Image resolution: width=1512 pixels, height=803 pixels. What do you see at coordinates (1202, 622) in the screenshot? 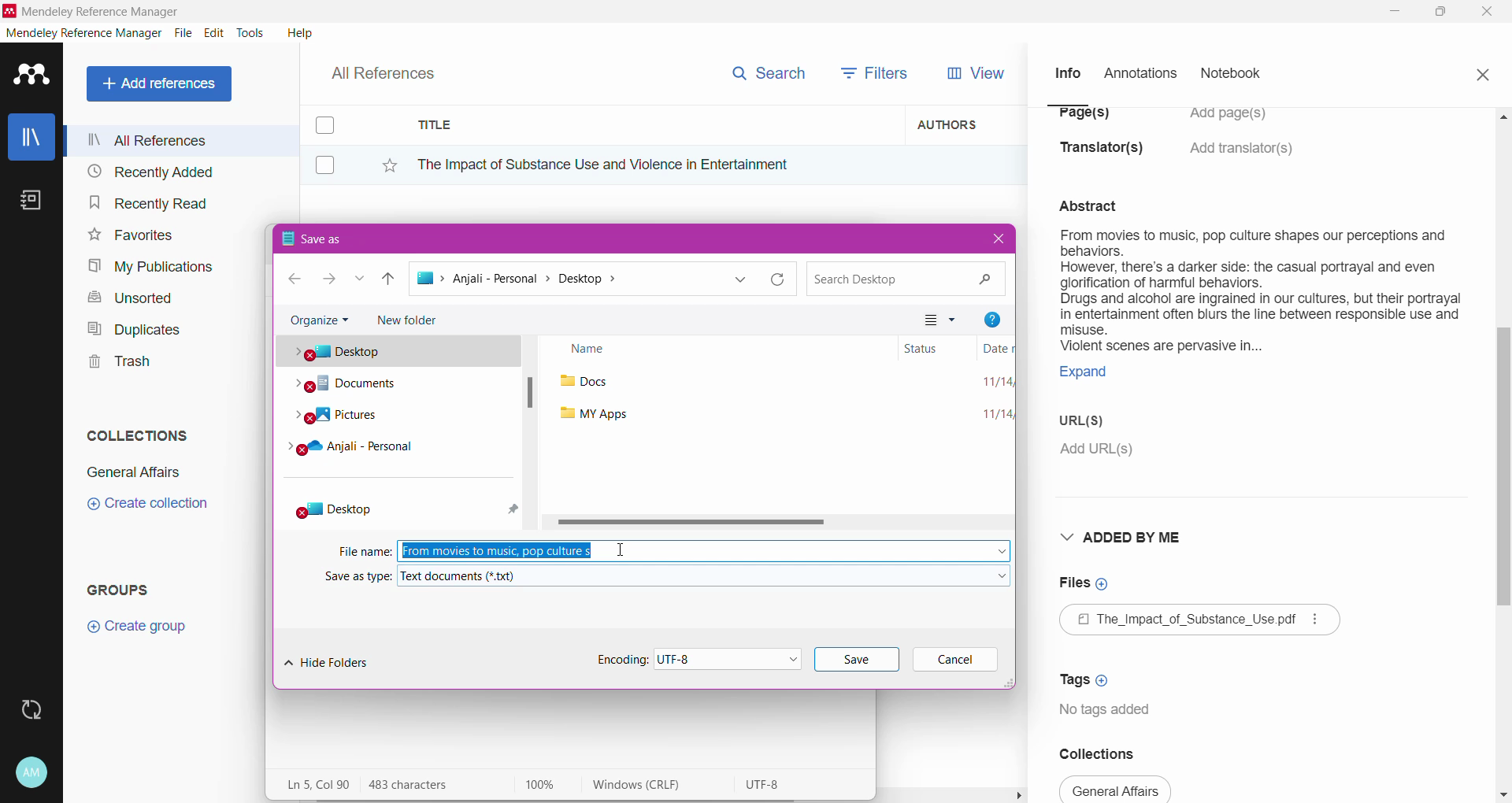
I see `Available File` at bounding box center [1202, 622].